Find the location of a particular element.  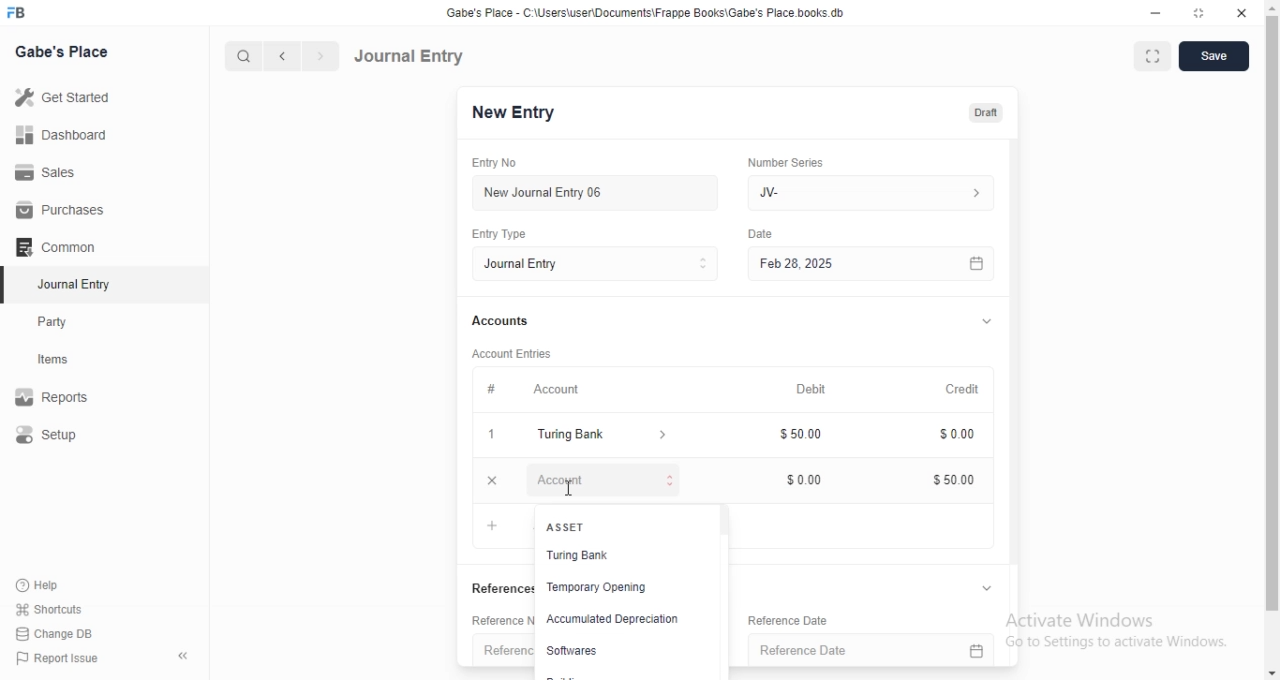

Purchases is located at coordinates (63, 210).